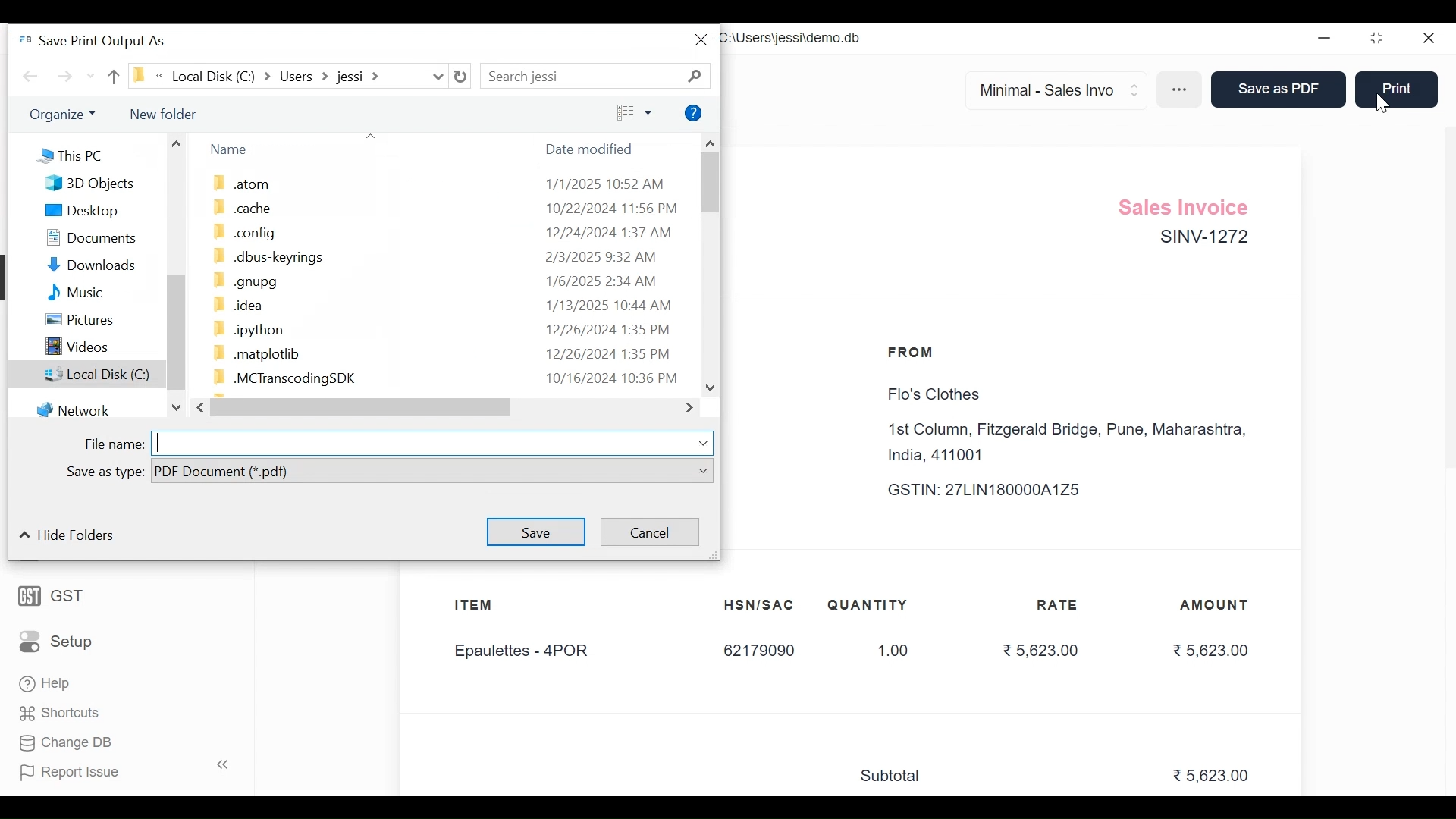 This screenshot has width=1456, height=819. What do you see at coordinates (868, 605) in the screenshot?
I see `QUANTITY` at bounding box center [868, 605].